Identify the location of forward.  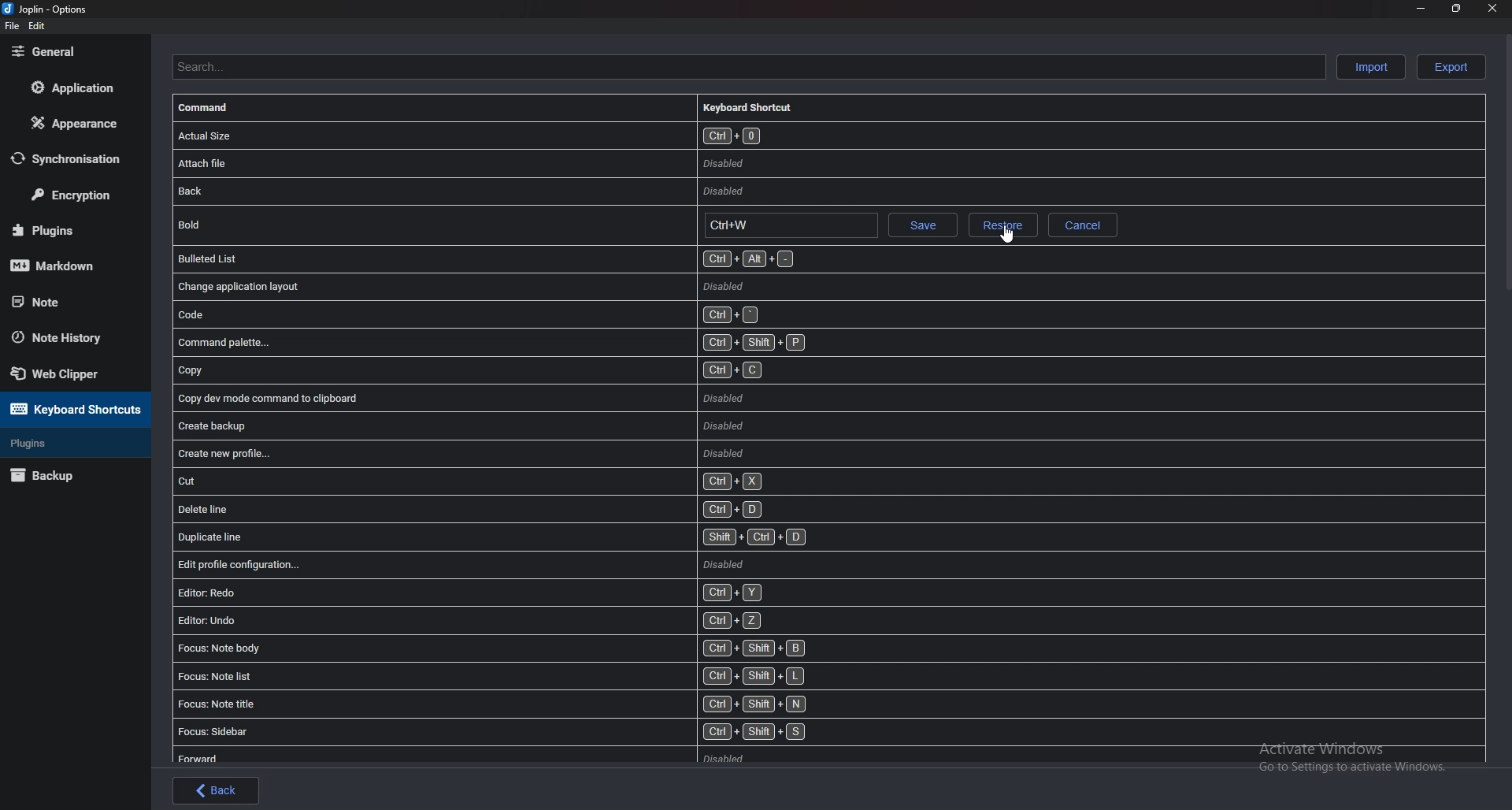
(528, 755).